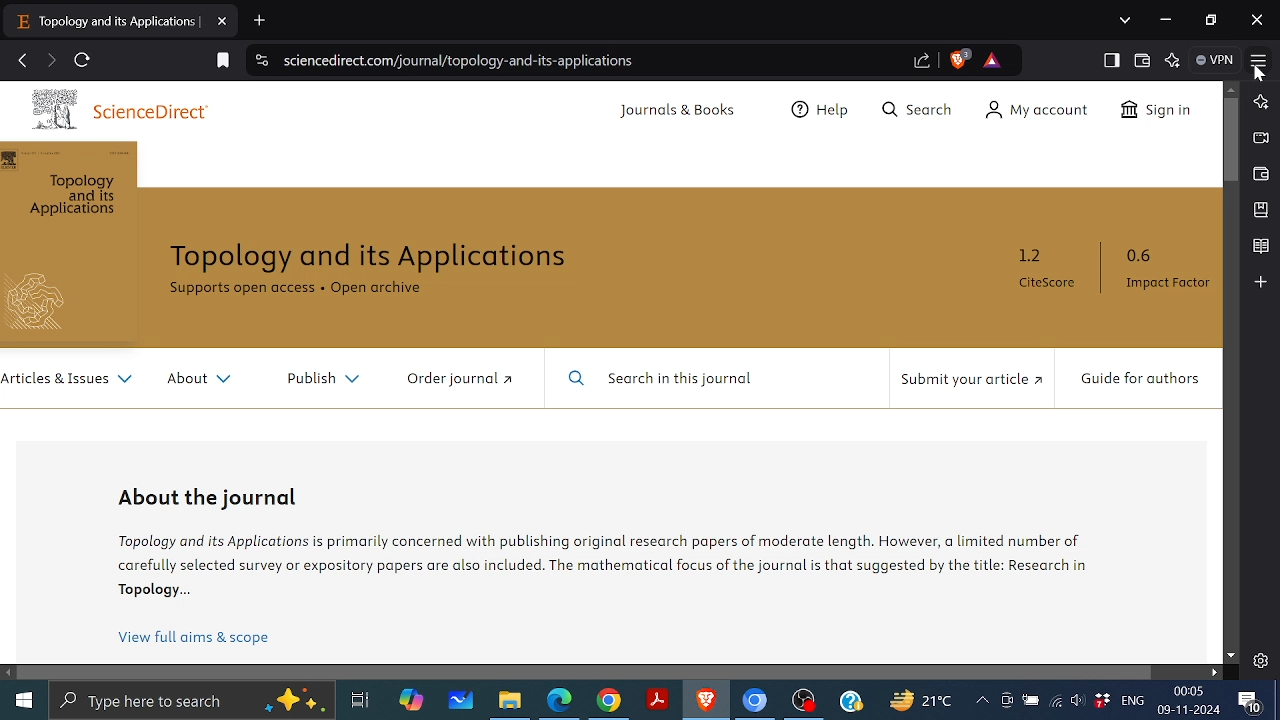 Image resolution: width=1280 pixels, height=720 pixels. I want to click on Help, so click(849, 701).